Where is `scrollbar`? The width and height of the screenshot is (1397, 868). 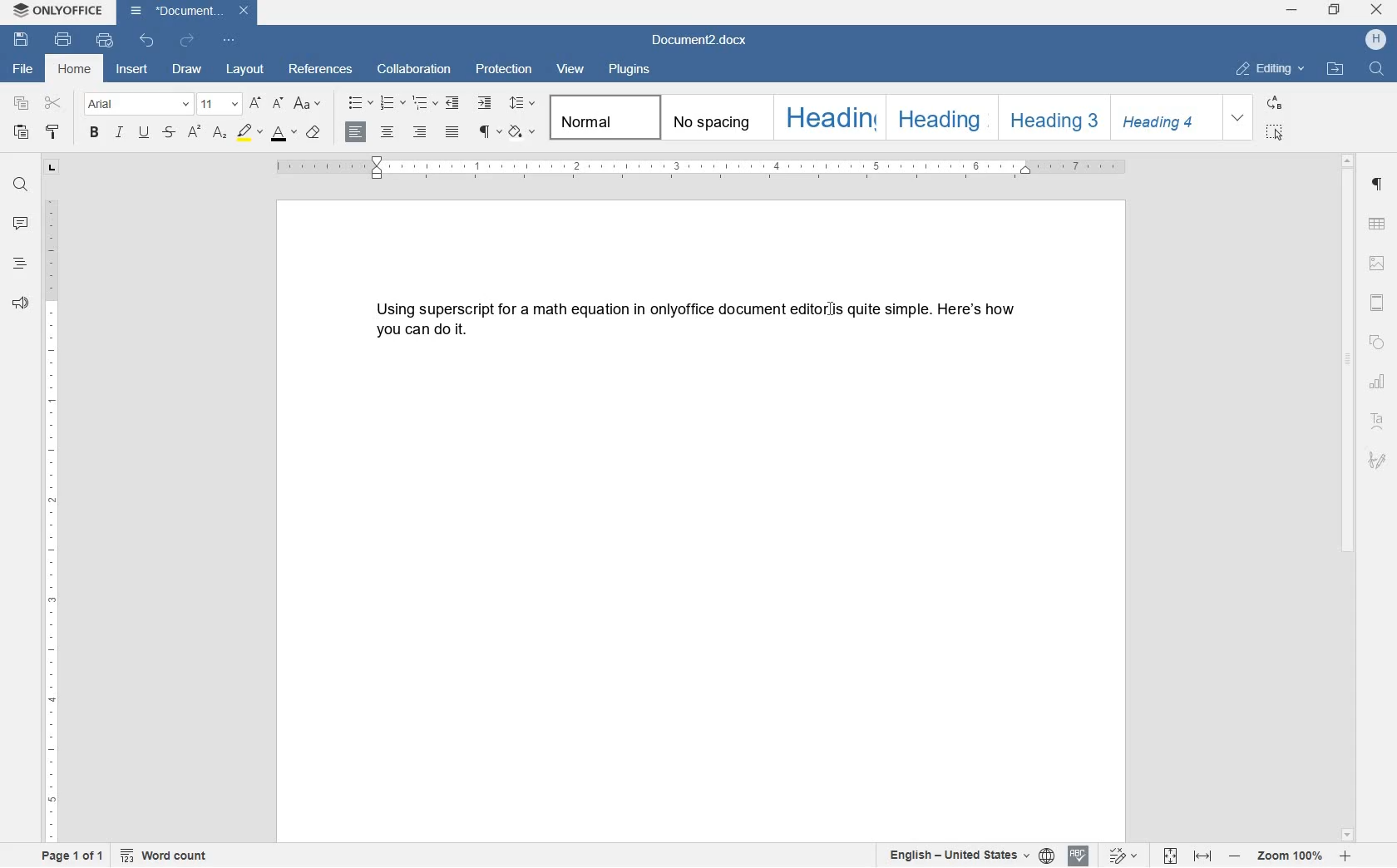
scrollbar is located at coordinates (1350, 497).